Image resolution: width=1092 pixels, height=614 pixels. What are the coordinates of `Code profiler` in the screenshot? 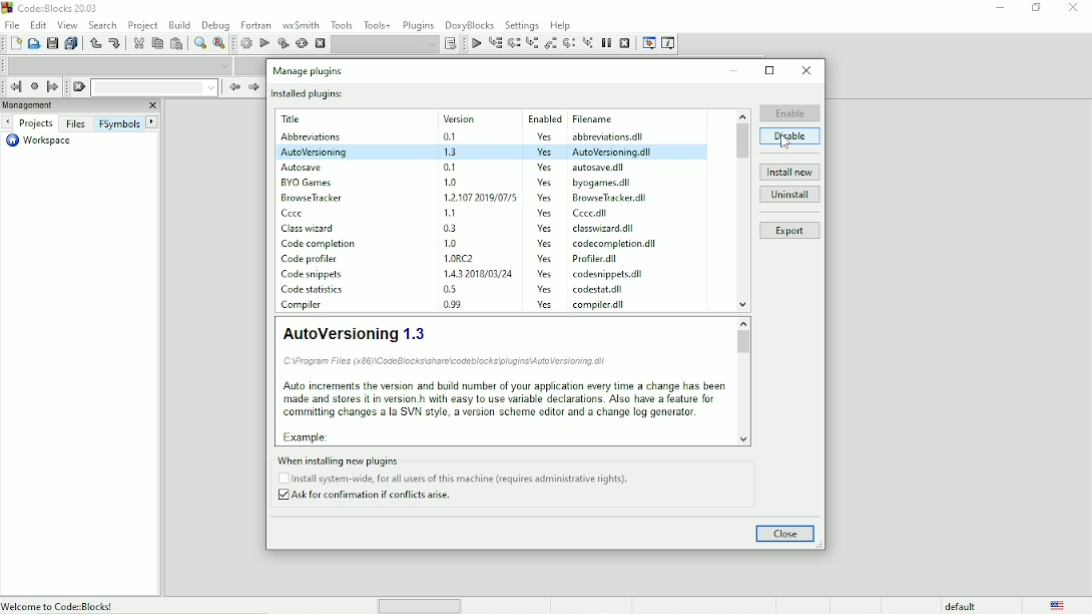 It's located at (313, 258).